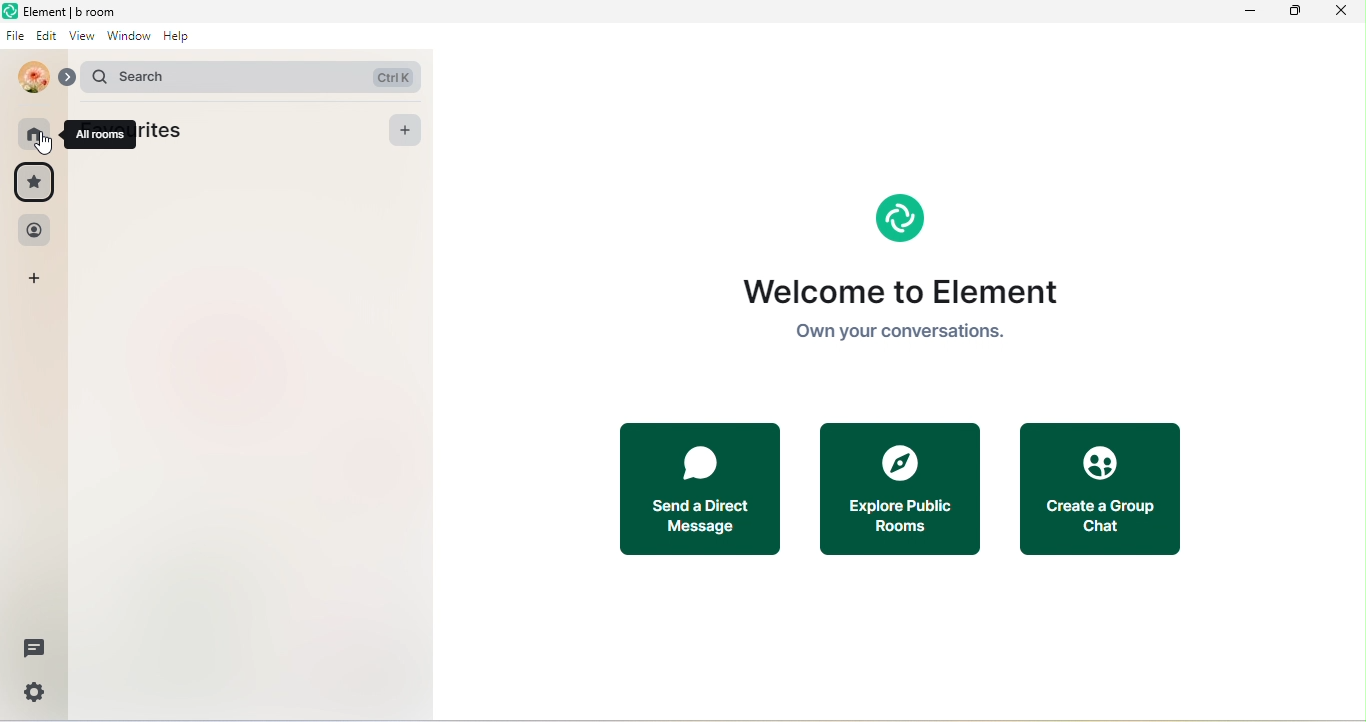  Describe the element at coordinates (1291, 12) in the screenshot. I see `maximize` at that location.